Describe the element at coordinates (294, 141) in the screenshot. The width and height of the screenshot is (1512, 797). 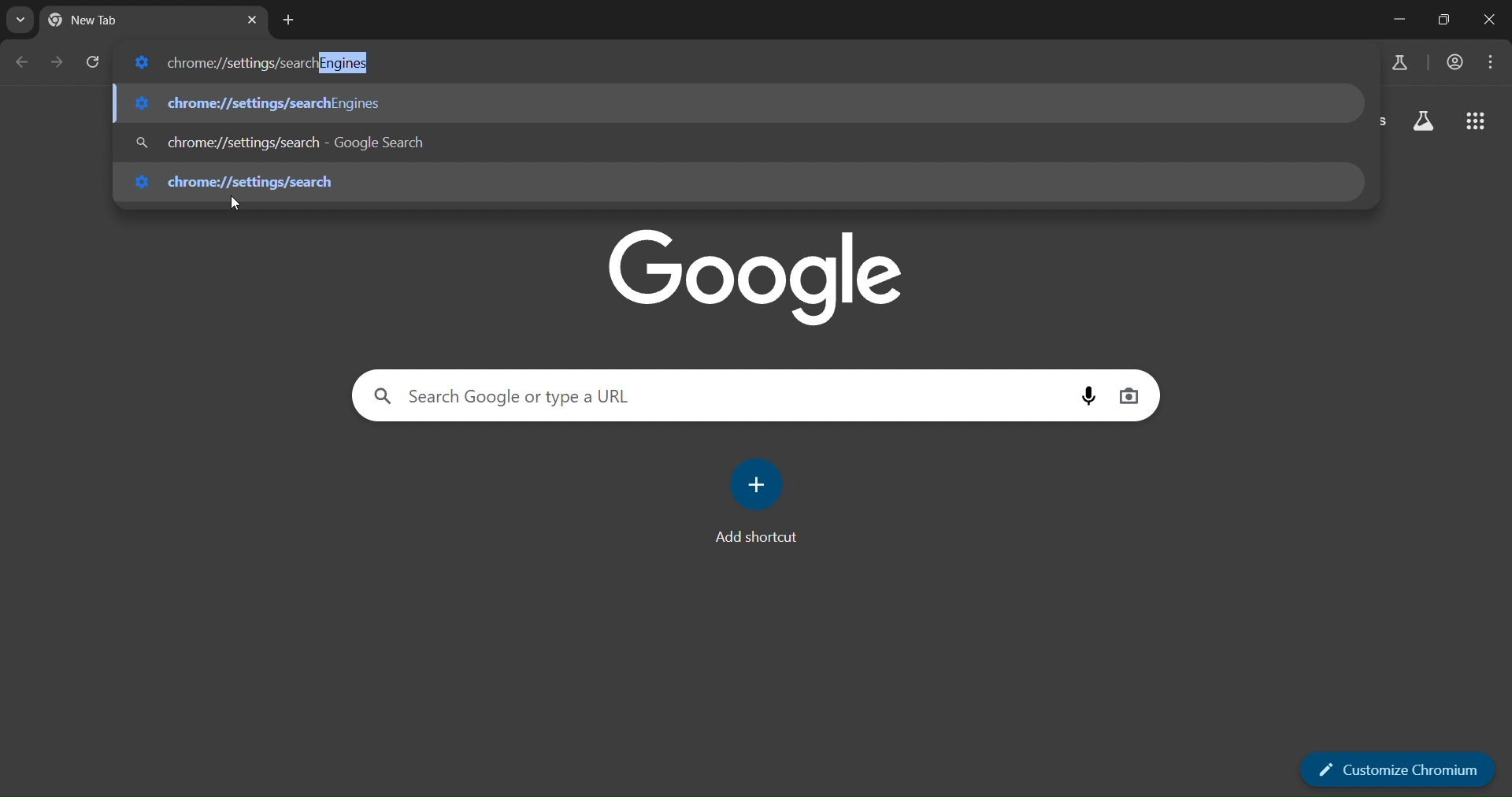
I see `chrome://settings/search` at that location.